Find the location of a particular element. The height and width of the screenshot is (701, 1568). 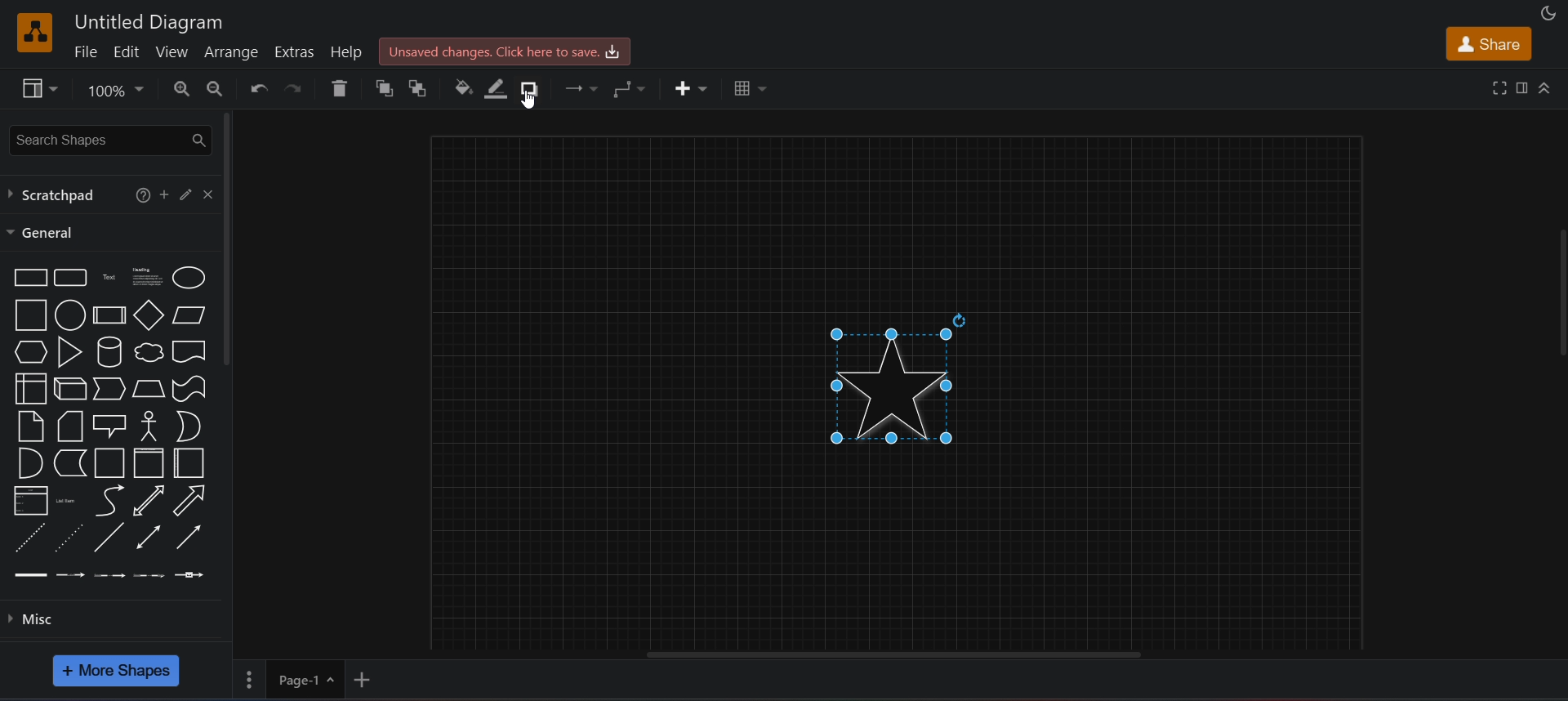

shadow is located at coordinates (534, 88).